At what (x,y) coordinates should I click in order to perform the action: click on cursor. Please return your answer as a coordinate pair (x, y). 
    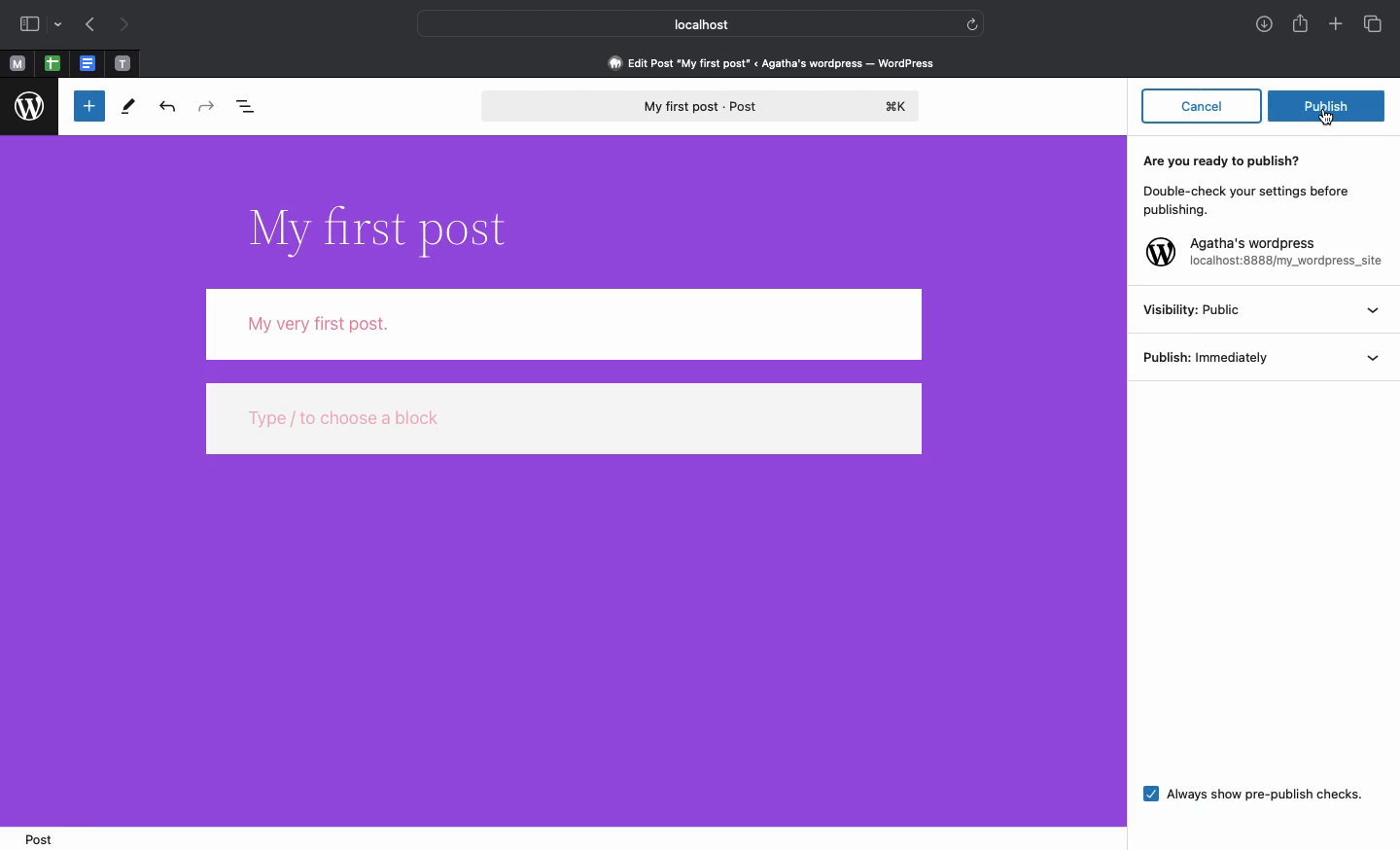
    Looking at the image, I should click on (1329, 119).